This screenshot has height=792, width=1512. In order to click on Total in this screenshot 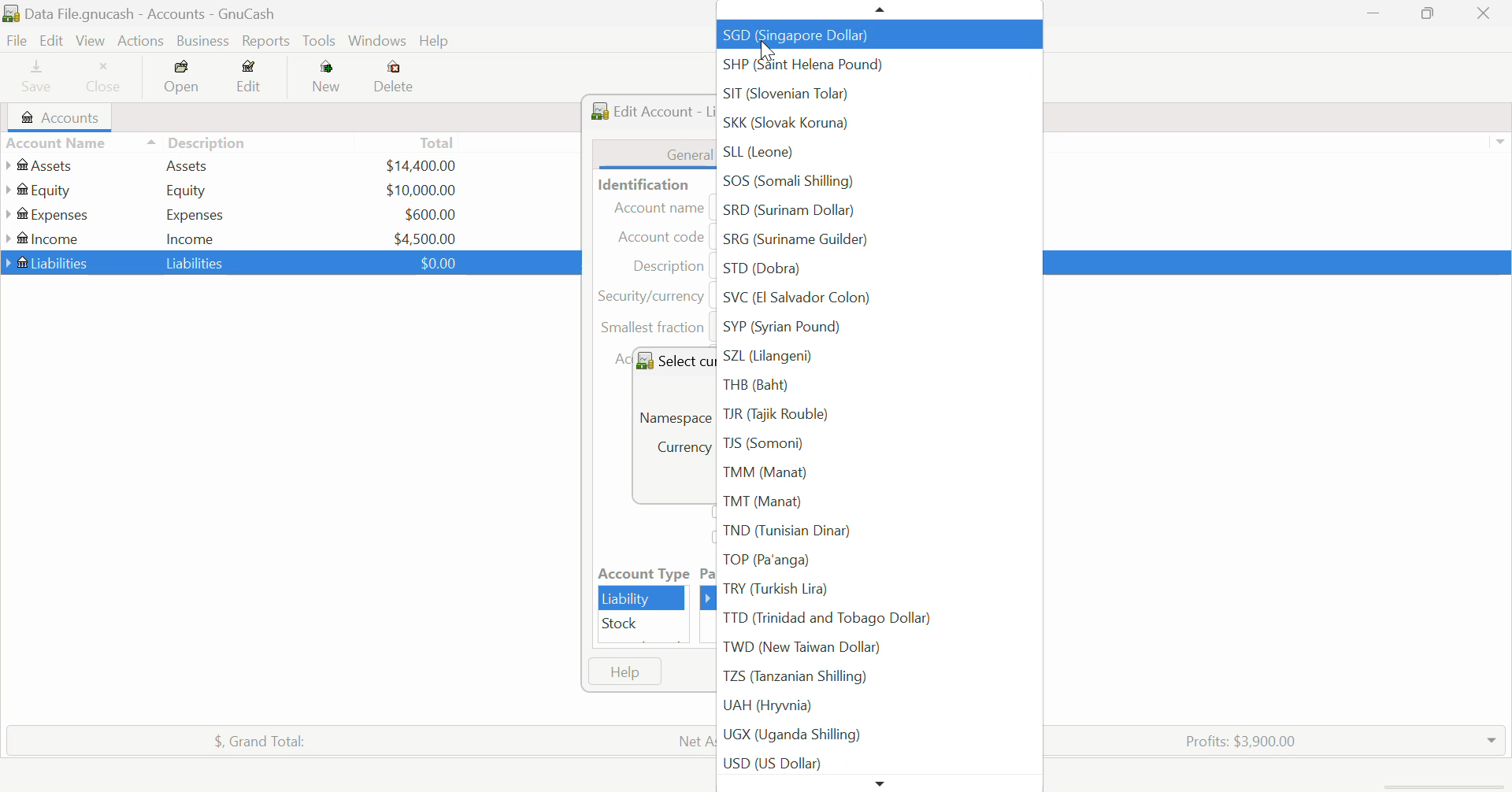, I will do `click(439, 142)`.